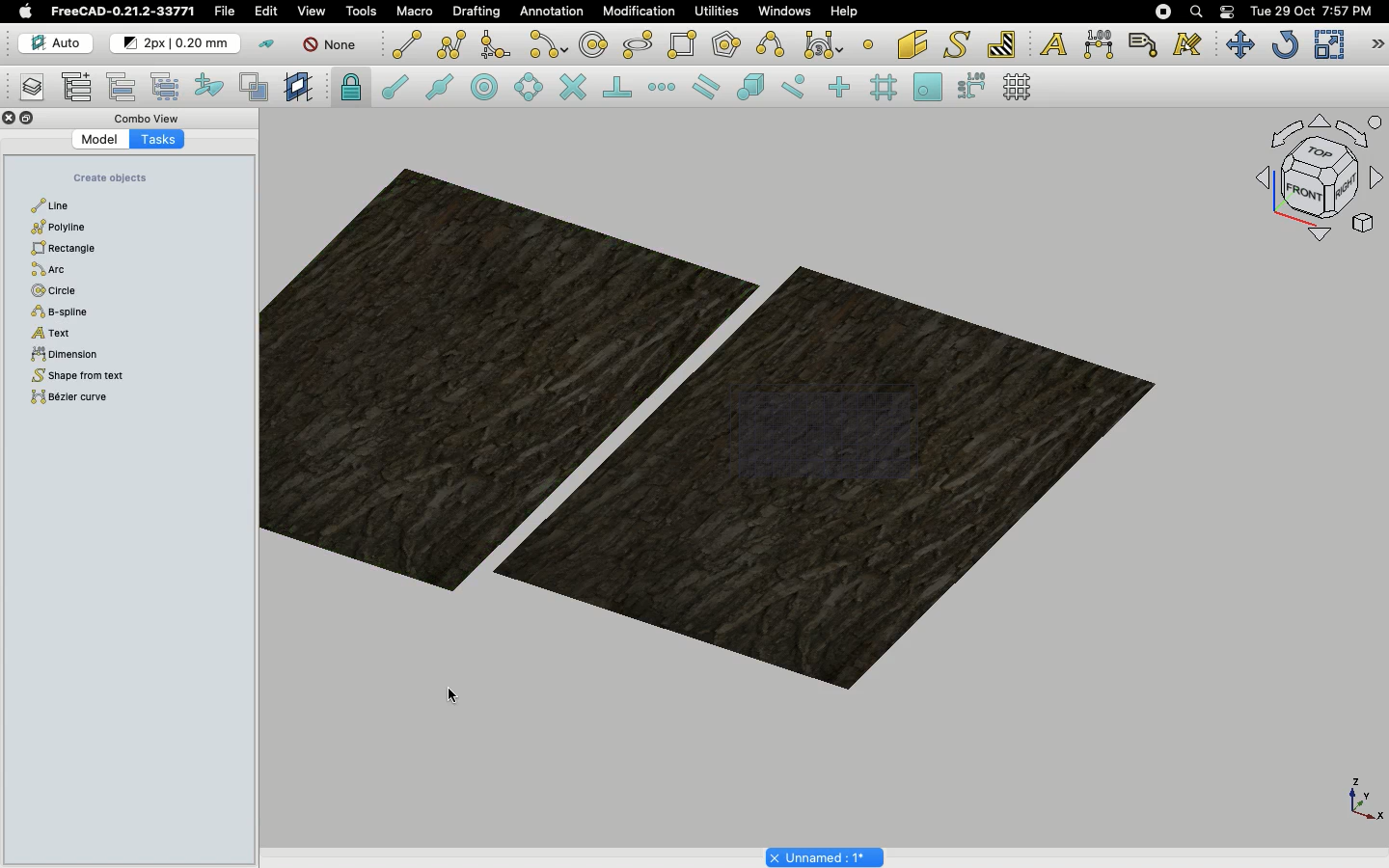 Image resolution: width=1389 pixels, height=868 pixels. I want to click on Annotation, so click(552, 11).